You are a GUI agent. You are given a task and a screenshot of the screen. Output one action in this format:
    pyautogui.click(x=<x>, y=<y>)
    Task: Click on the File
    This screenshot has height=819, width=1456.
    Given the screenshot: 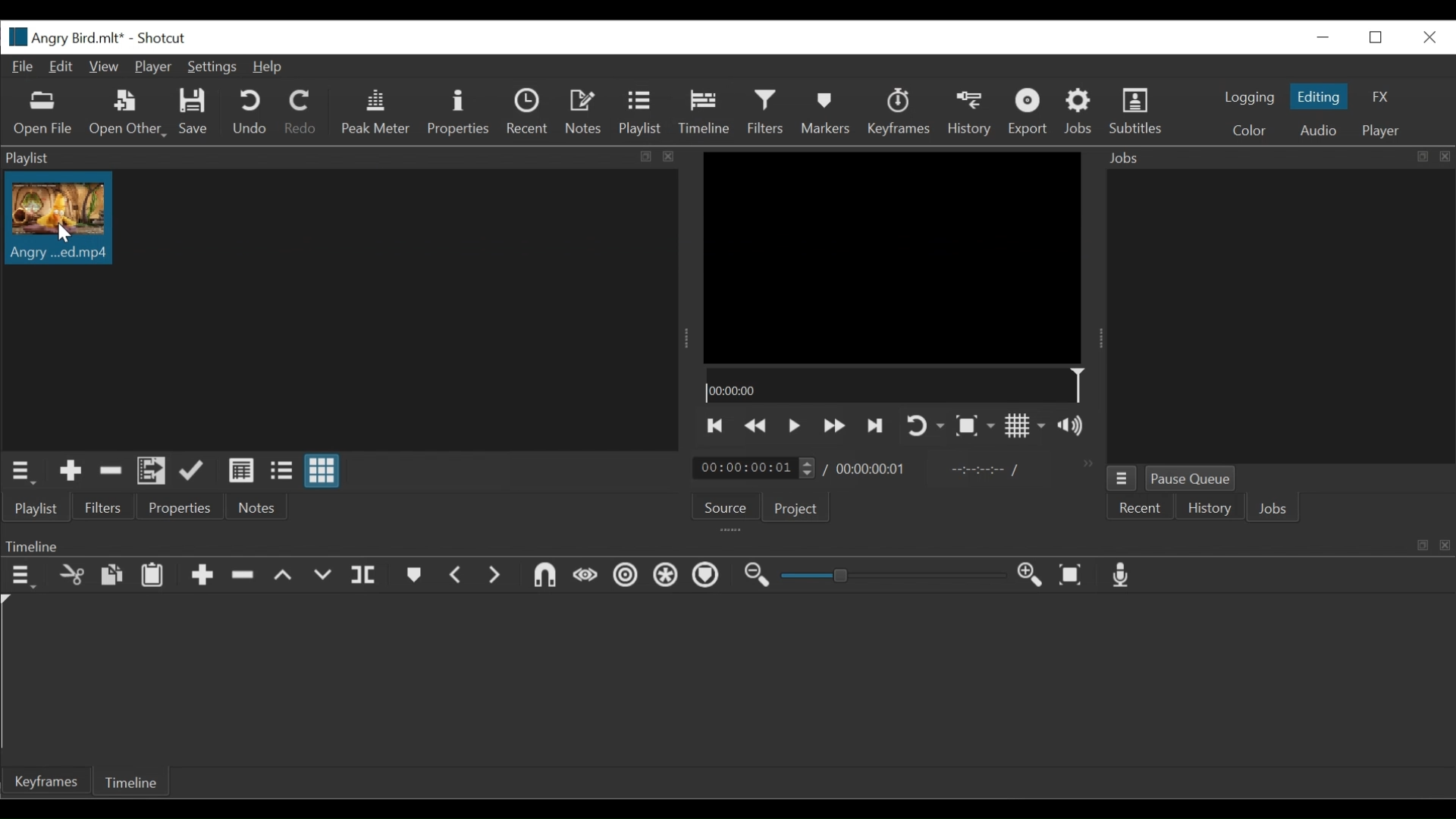 What is the action you would take?
    pyautogui.click(x=21, y=67)
    